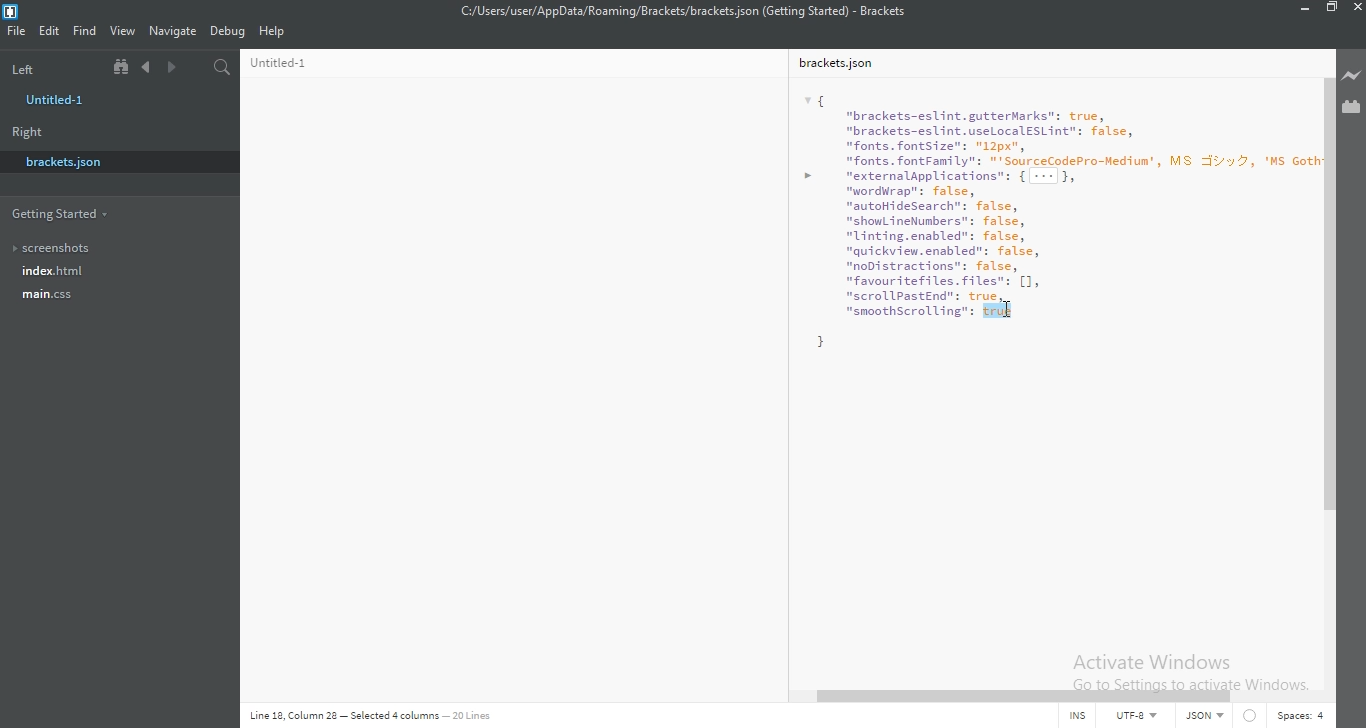  I want to click on brackets.json, so click(102, 162).